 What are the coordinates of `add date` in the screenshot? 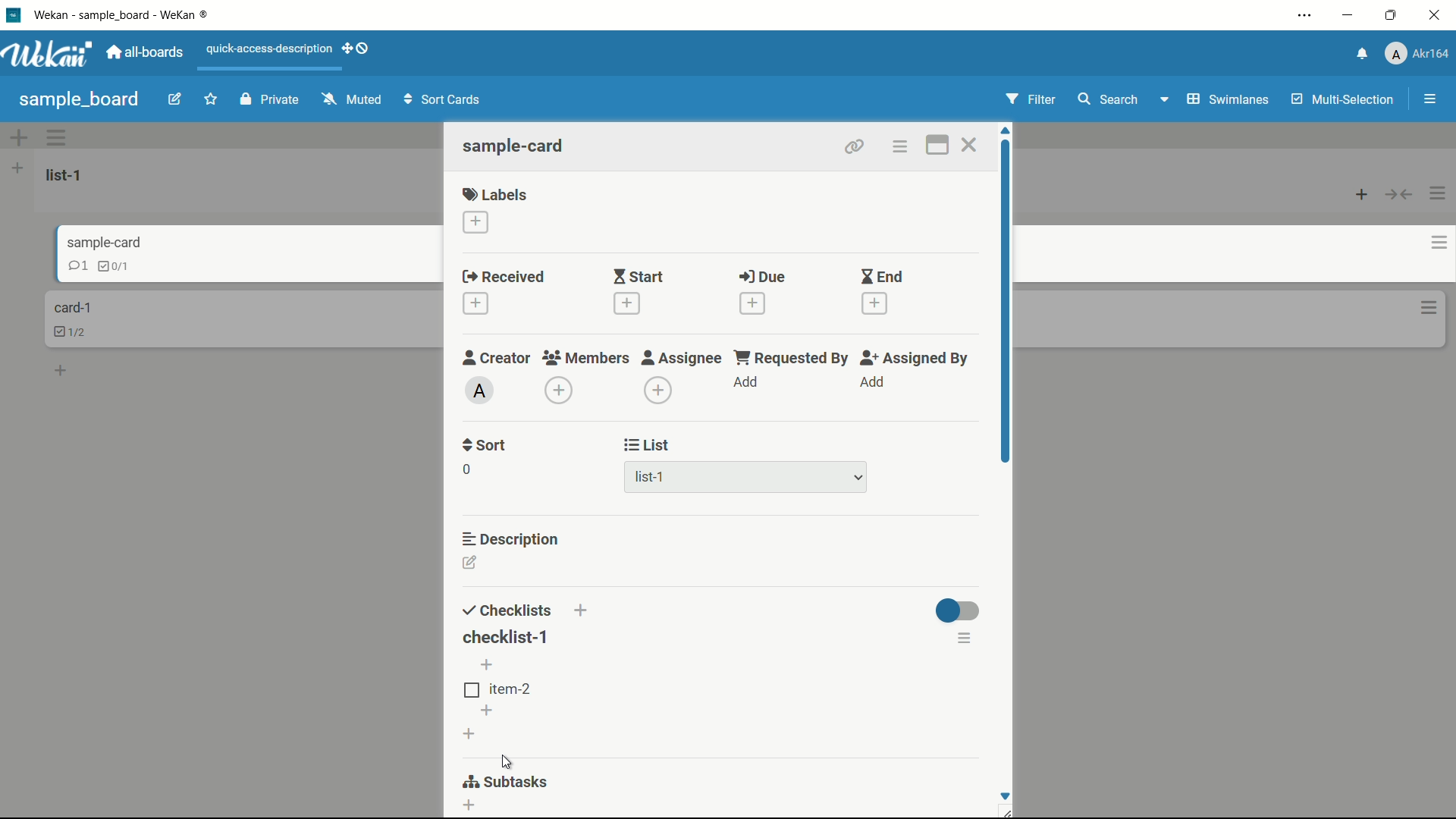 It's located at (627, 303).